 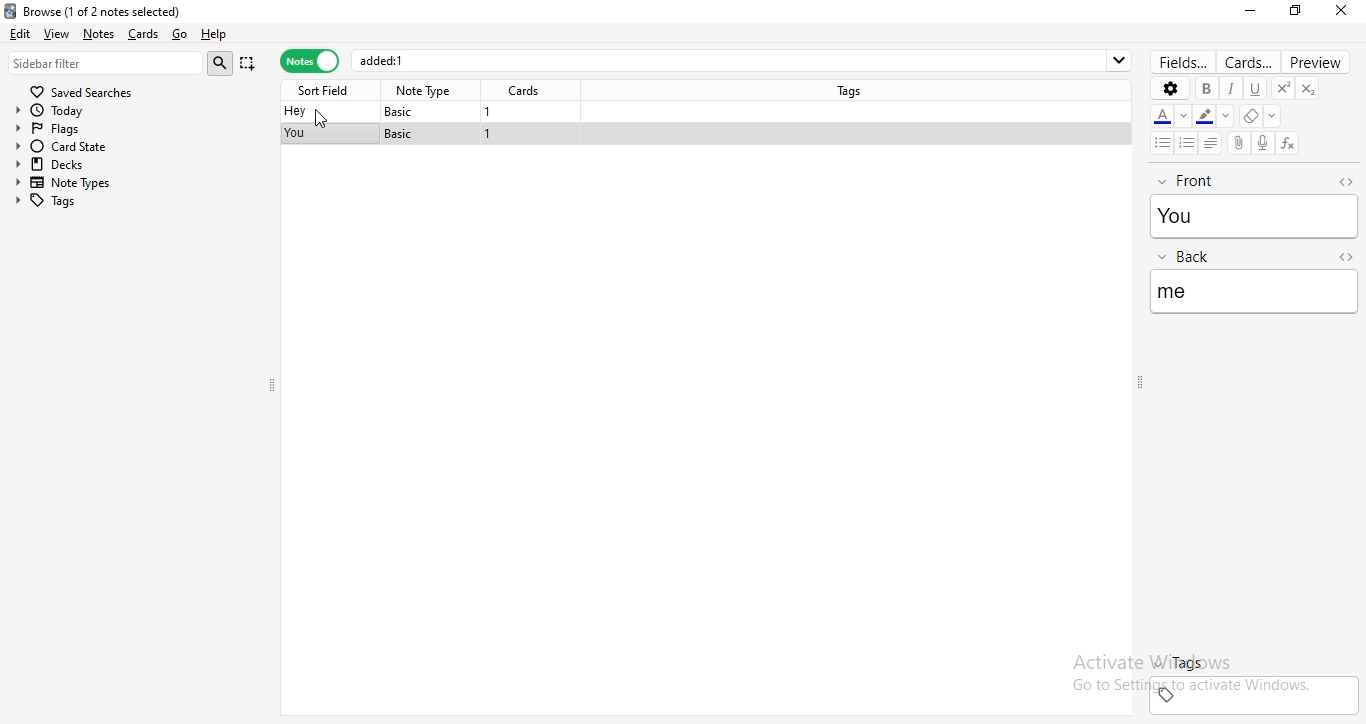 I want to click on view, so click(x=58, y=33).